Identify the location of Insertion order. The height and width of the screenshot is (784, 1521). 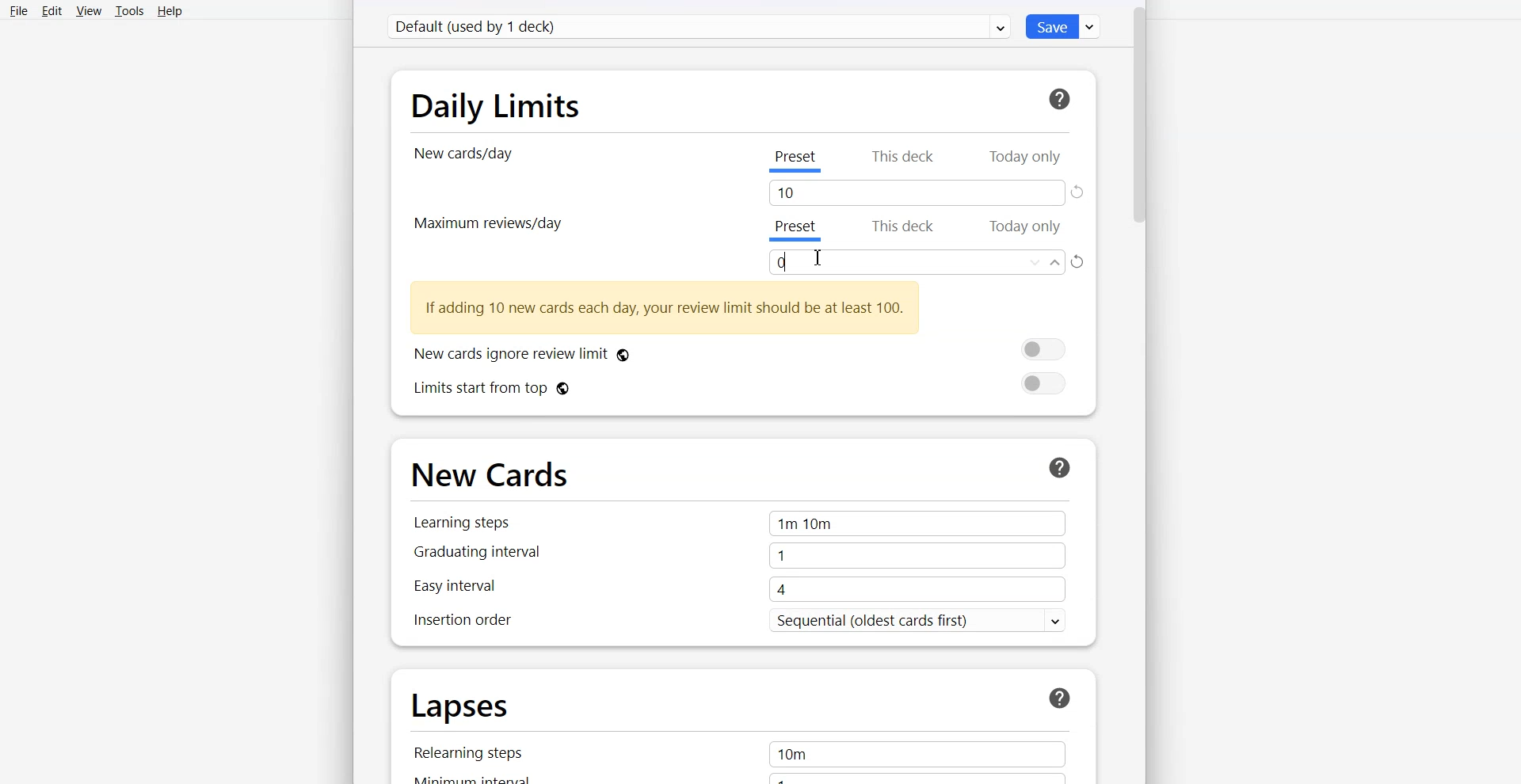
(736, 623).